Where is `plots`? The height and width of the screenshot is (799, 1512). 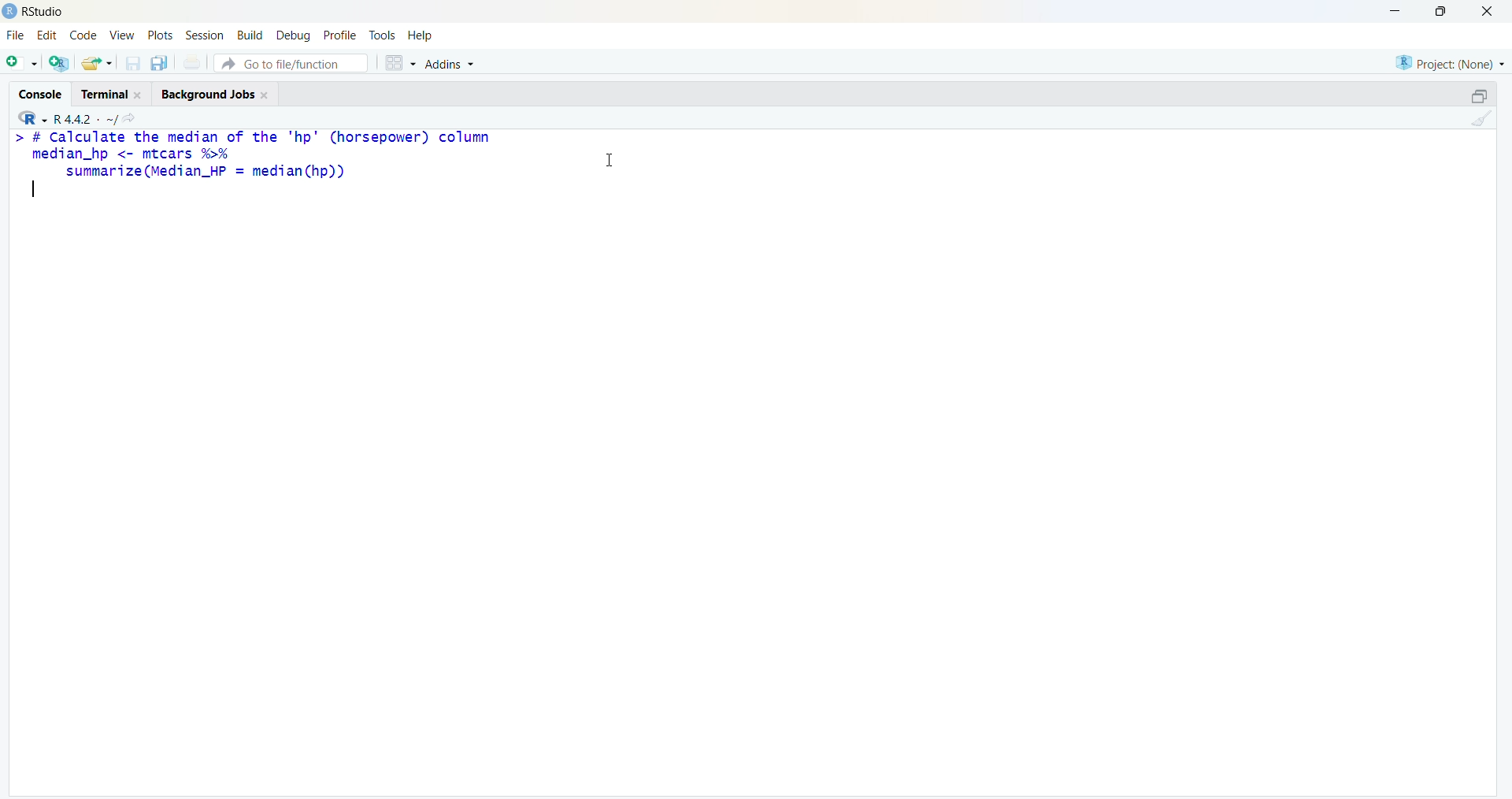 plots is located at coordinates (160, 35).